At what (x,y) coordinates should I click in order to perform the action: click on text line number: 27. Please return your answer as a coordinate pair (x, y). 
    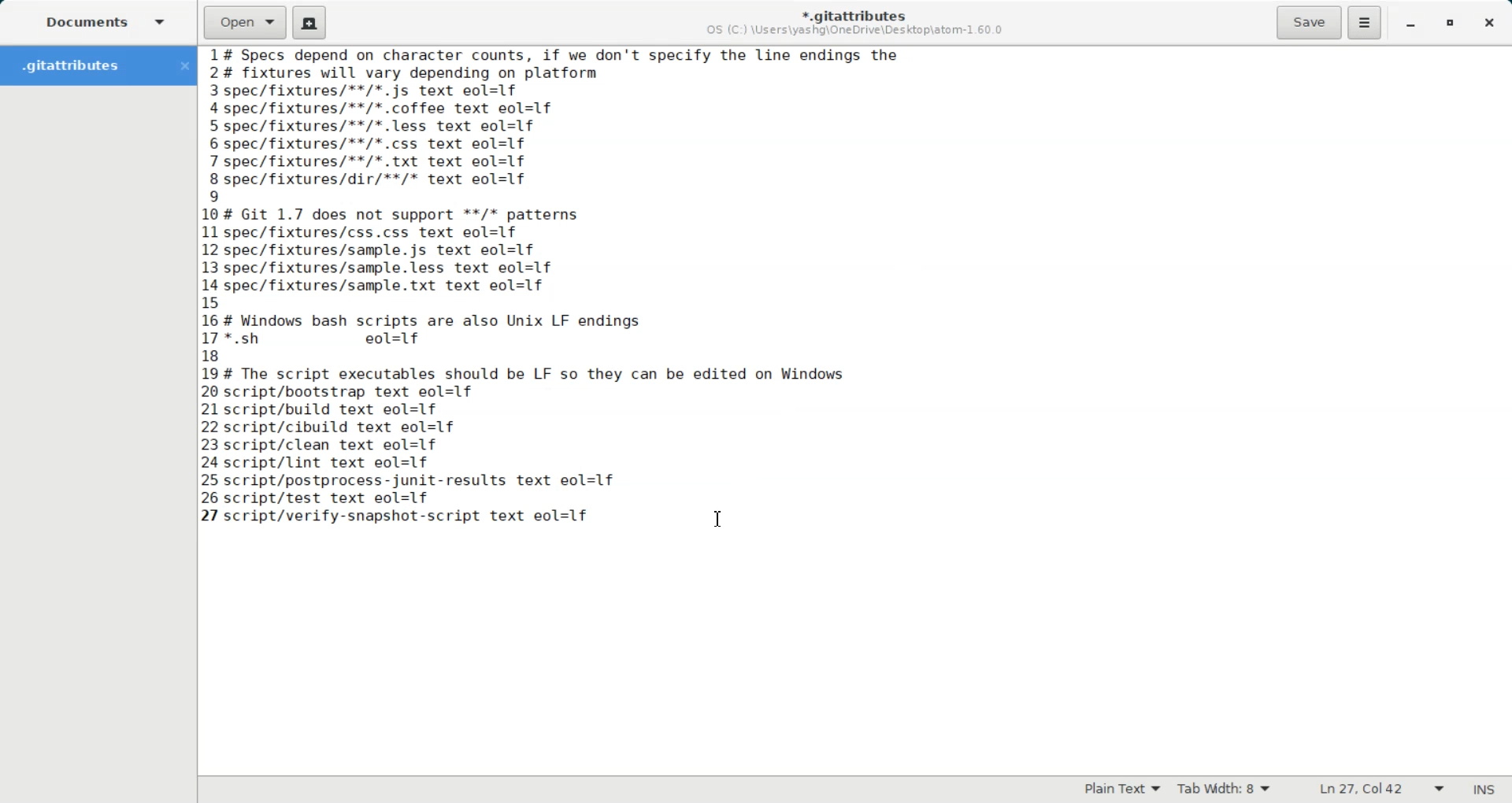
    Looking at the image, I should click on (212, 515).